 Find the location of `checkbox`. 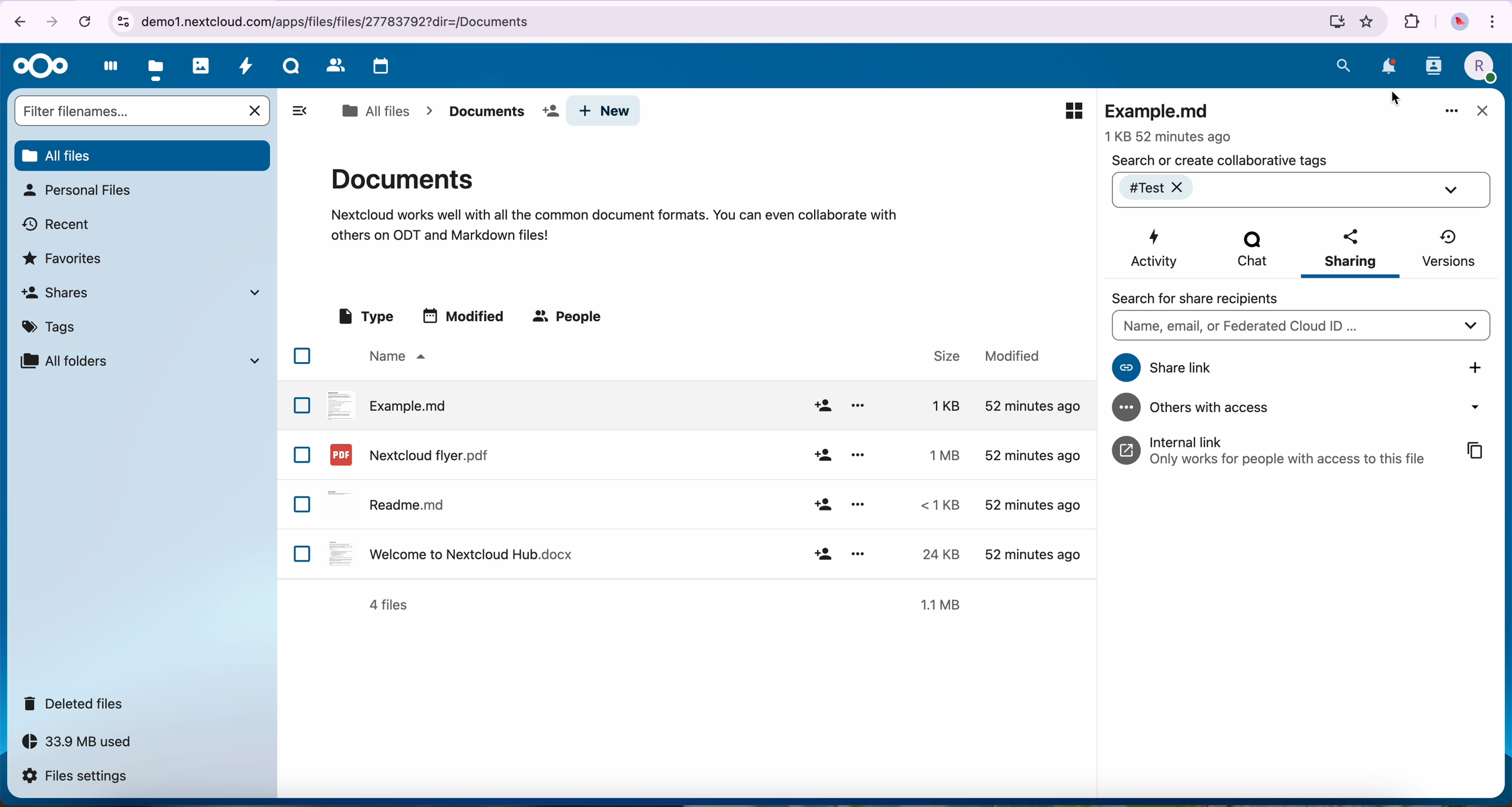

checkbox is located at coordinates (302, 404).